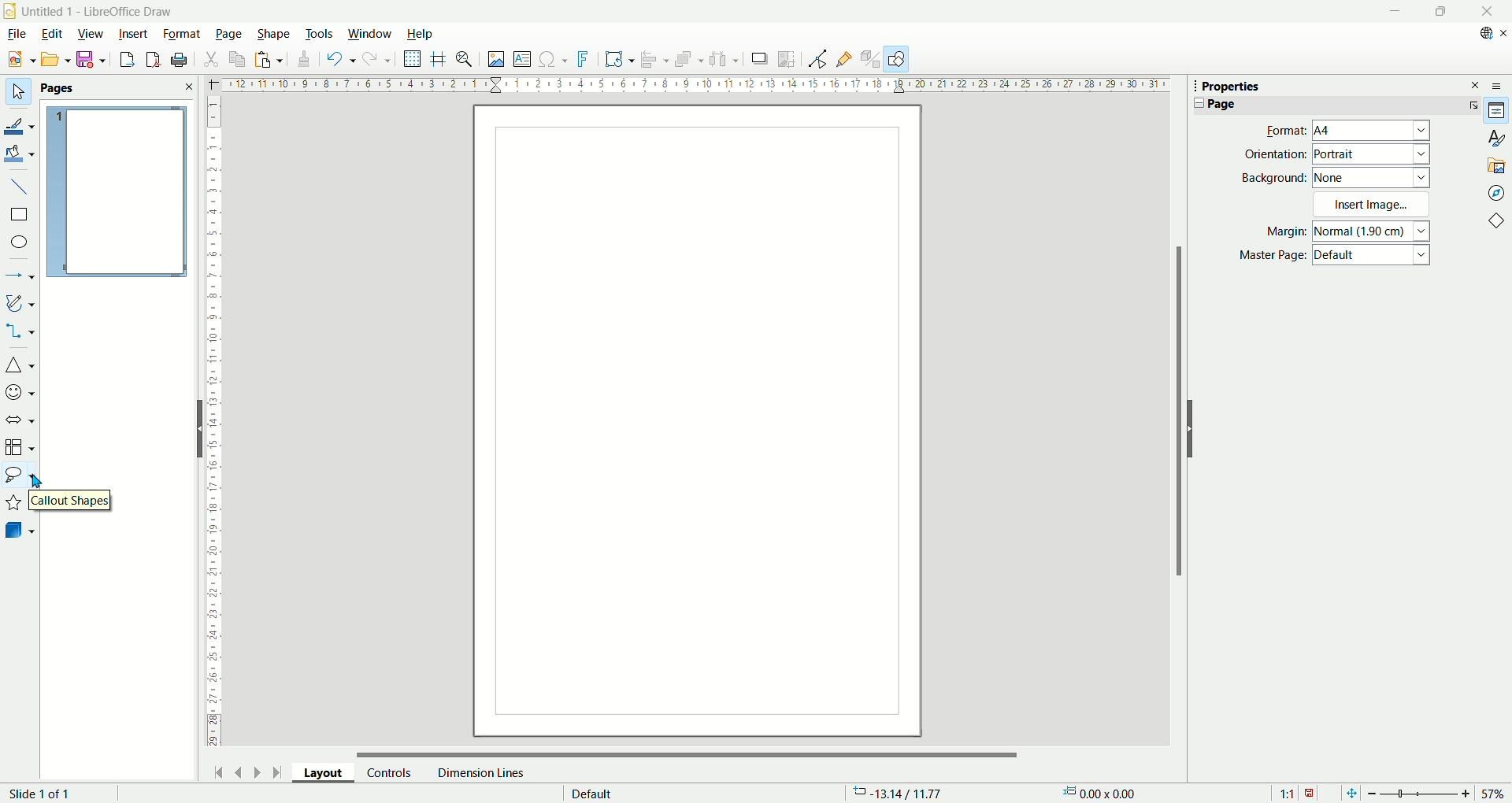  Describe the element at coordinates (592, 791) in the screenshot. I see `default` at that location.